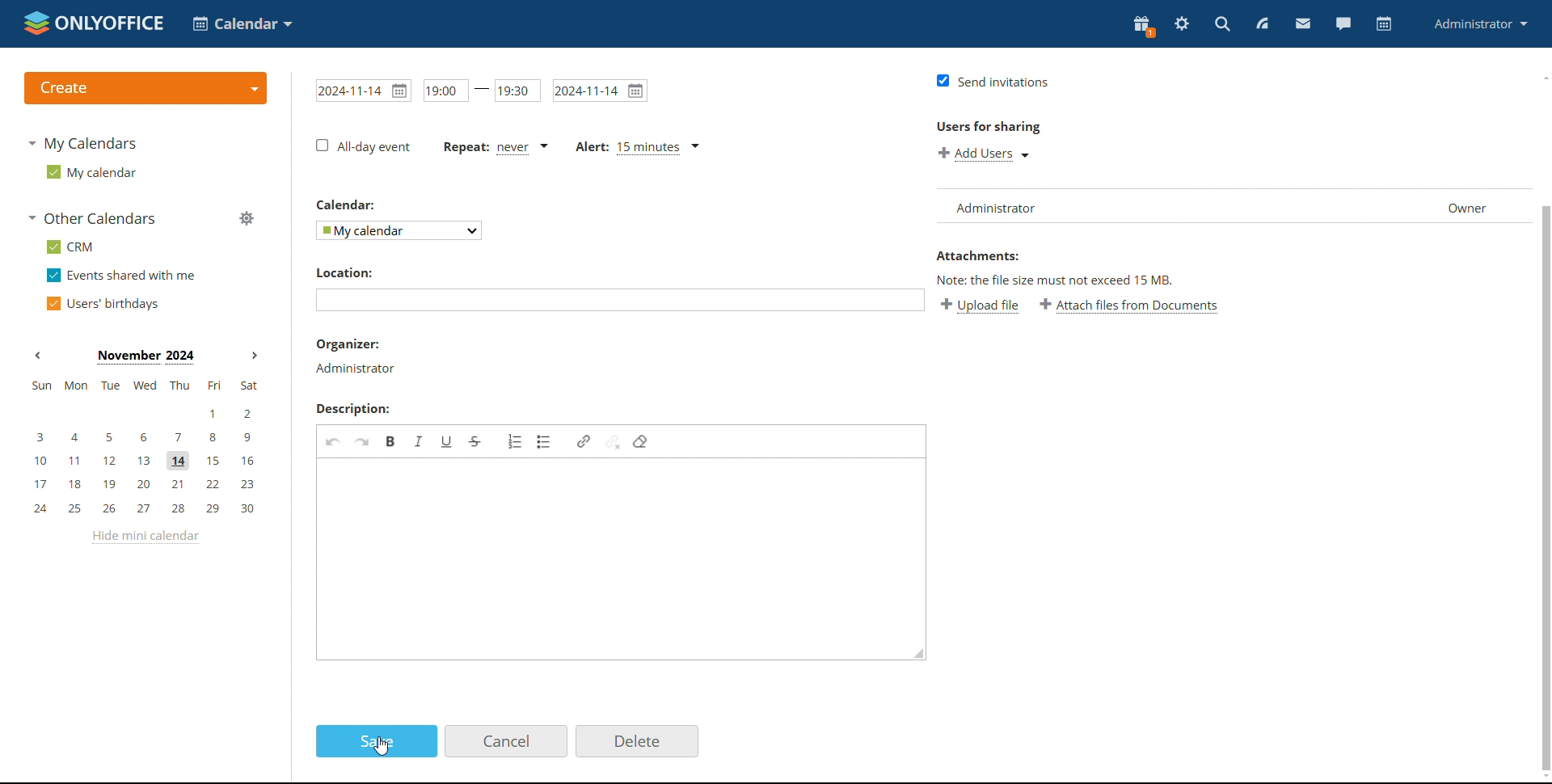  I want to click on profile, so click(1481, 23).